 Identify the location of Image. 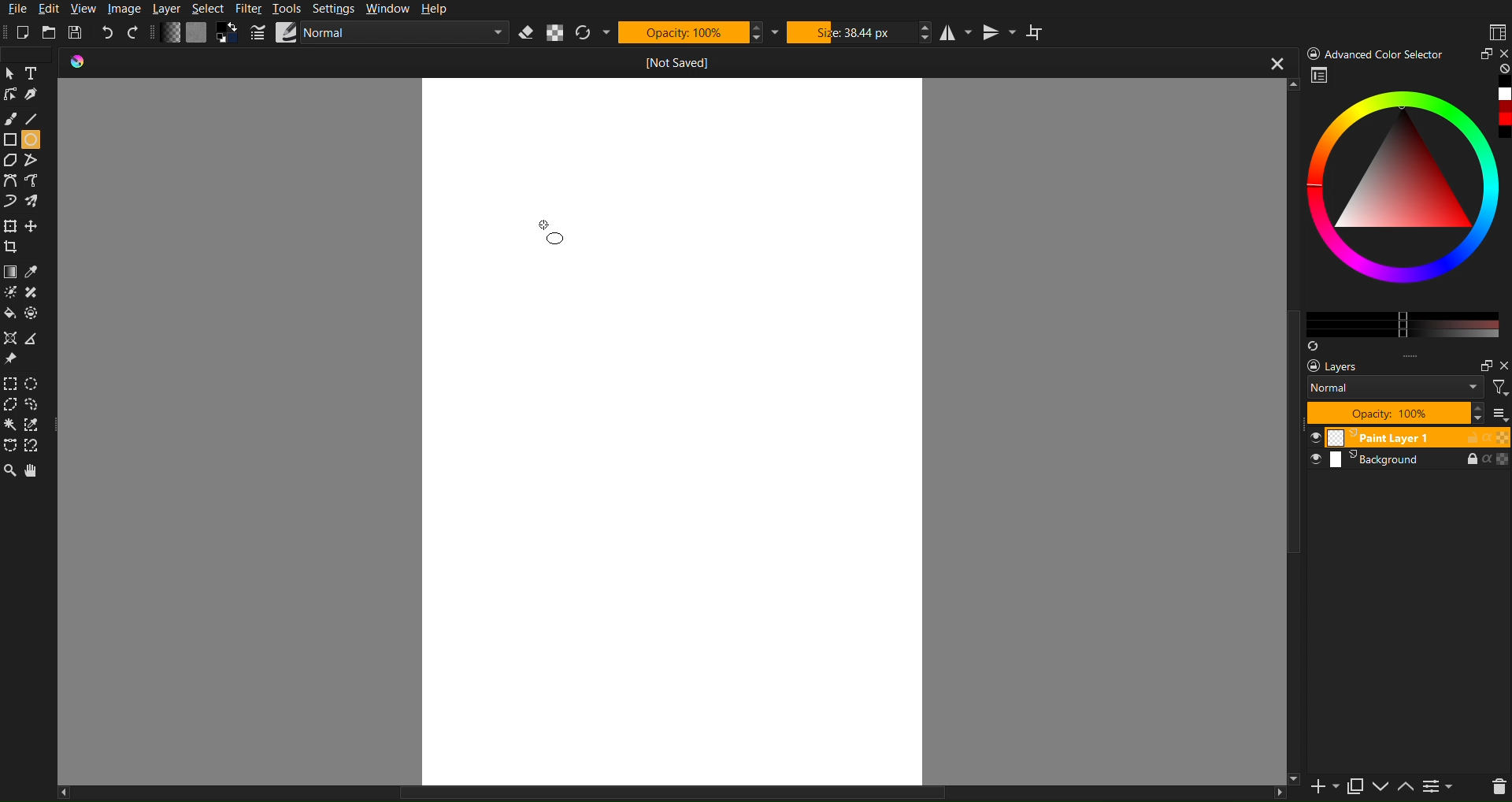
(123, 9).